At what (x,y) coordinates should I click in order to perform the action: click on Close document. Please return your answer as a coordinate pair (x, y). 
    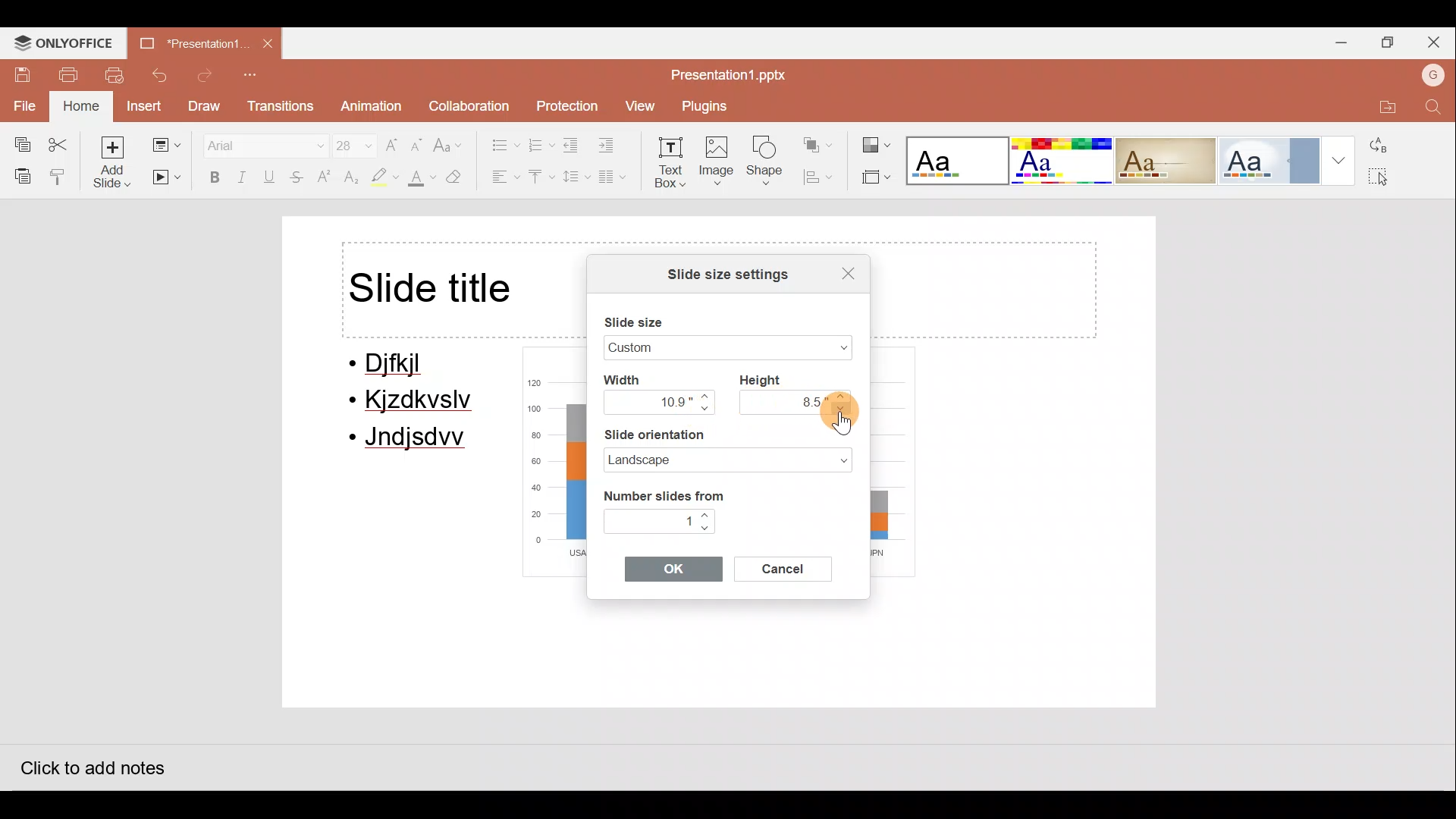
    Looking at the image, I should click on (269, 45).